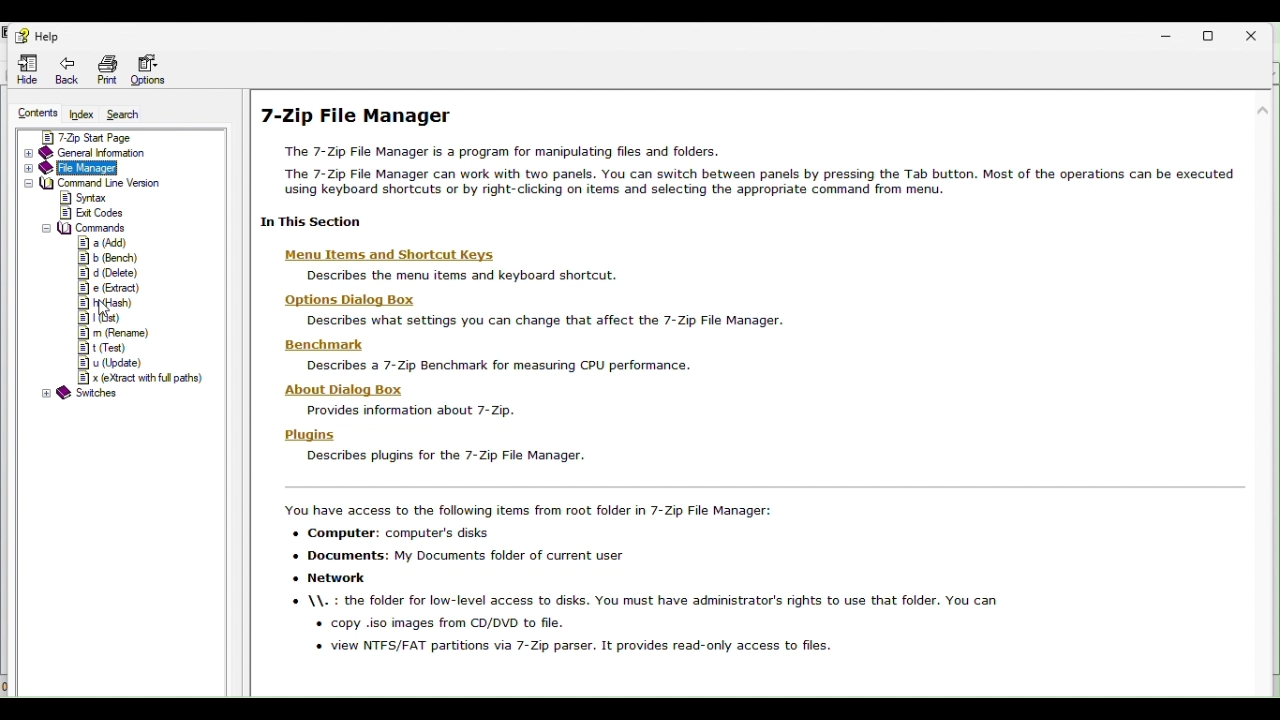  What do you see at coordinates (110, 166) in the screenshot?
I see `File manager` at bounding box center [110, 166].